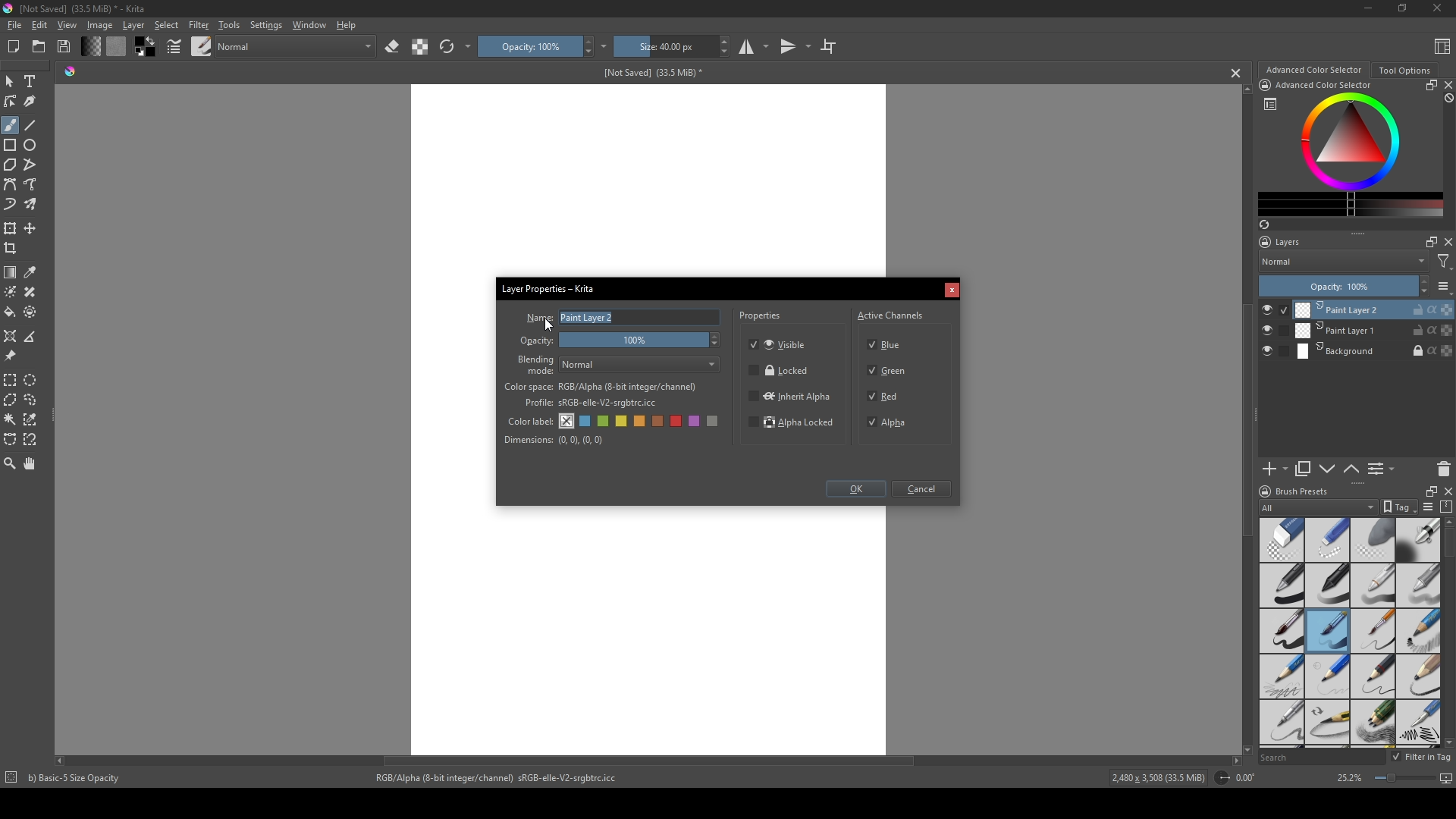  Describe the element at coordinates (1427, 507) in the screenshot. I see `list` at that location.